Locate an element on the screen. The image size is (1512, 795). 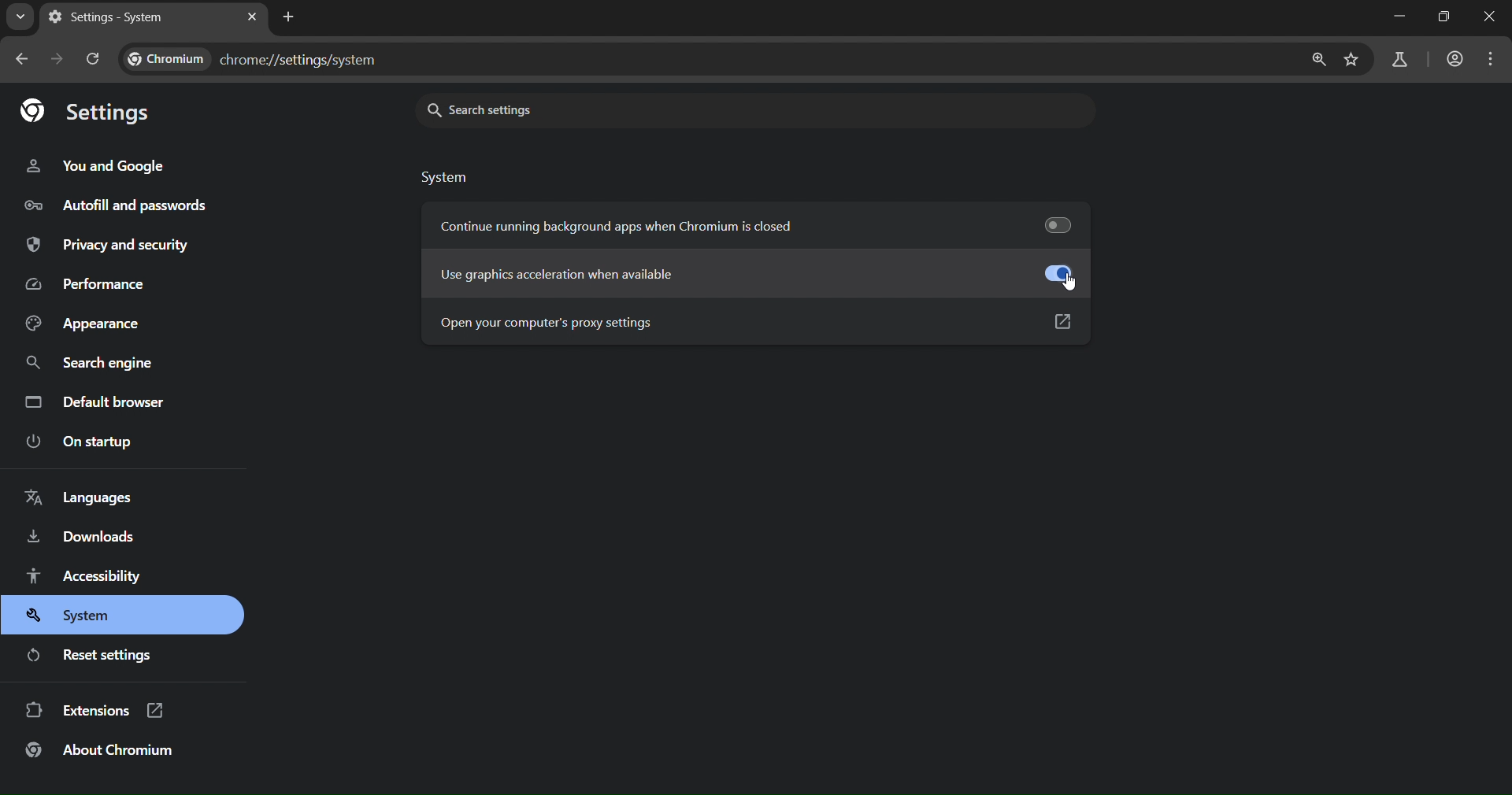
appearance is located at coordinates (83, 321).